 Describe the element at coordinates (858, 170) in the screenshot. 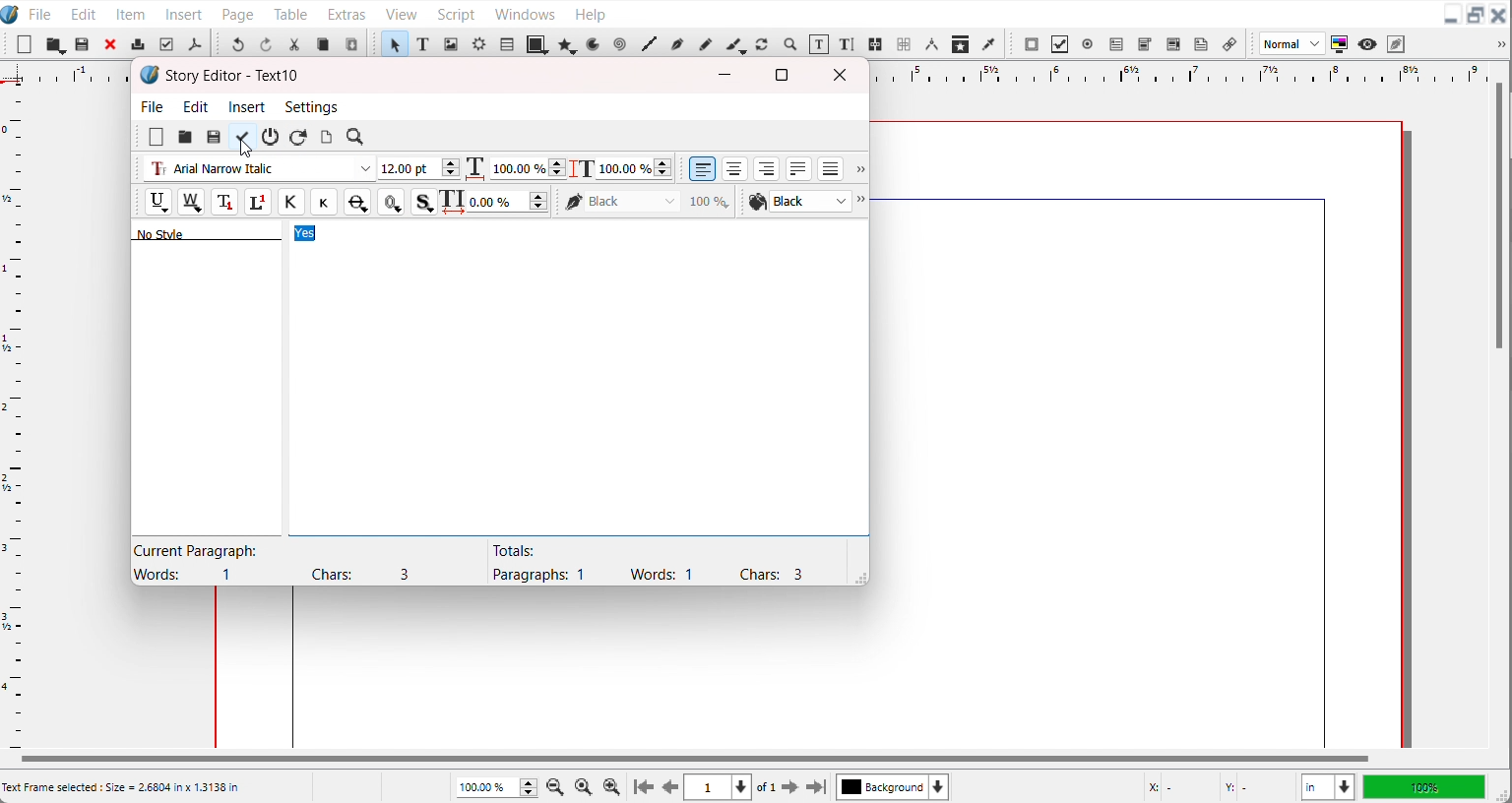

I see `Drop down box` at that location.